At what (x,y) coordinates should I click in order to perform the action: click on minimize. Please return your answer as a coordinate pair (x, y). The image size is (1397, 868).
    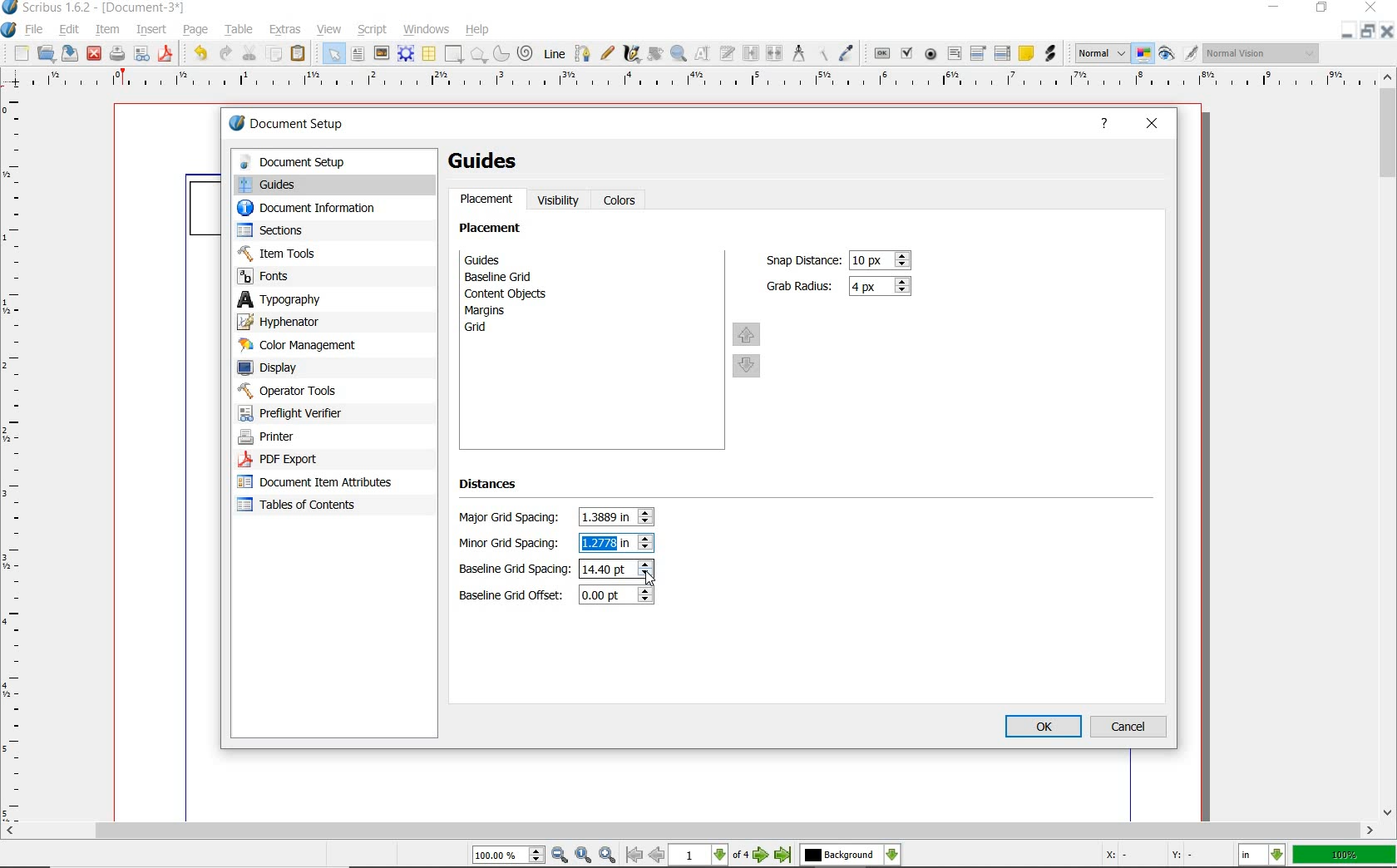
    Looking at the image, I should click on (1276, 7).